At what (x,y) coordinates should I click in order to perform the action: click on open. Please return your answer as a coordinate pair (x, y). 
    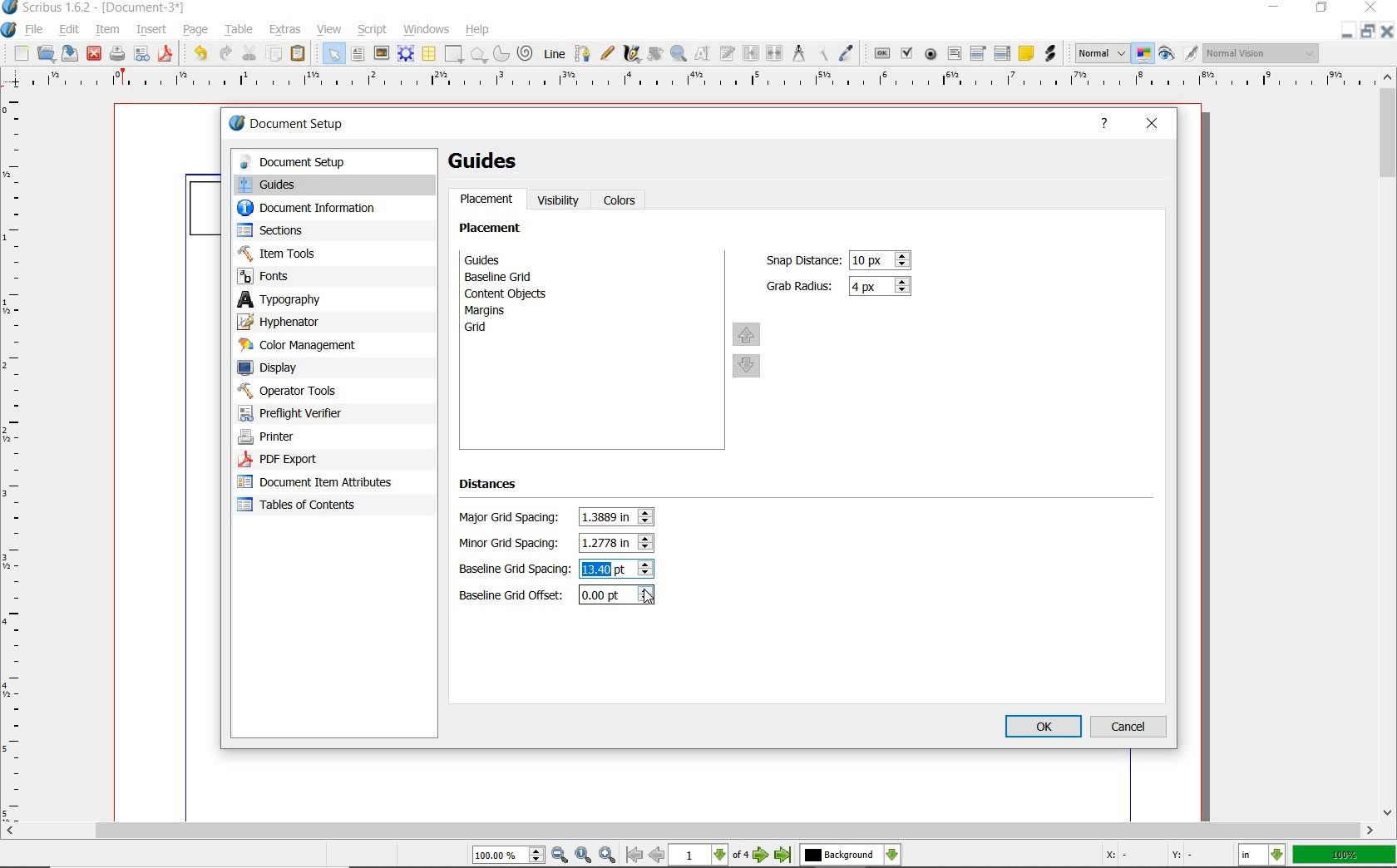
    Looking at the image, I should click on (46, 53).